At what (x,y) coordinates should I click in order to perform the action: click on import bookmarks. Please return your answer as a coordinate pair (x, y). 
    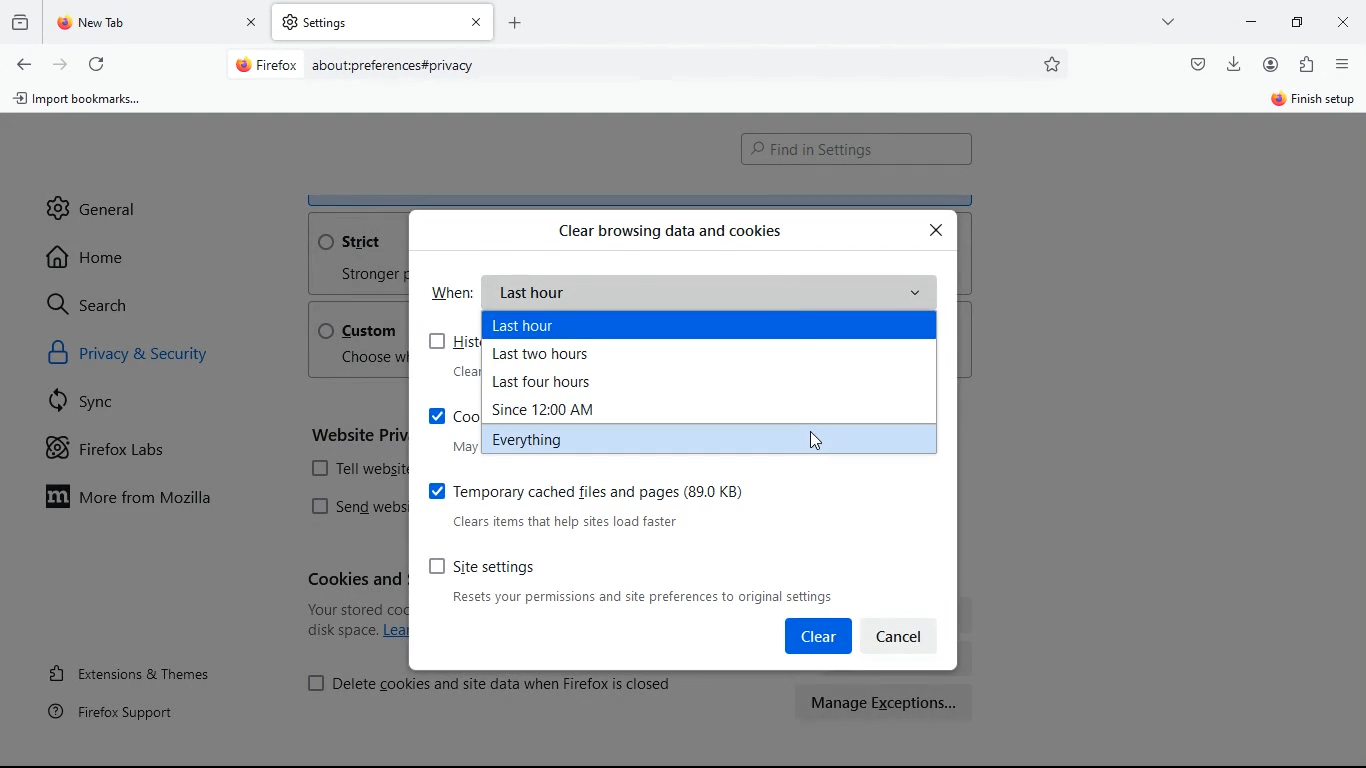
    Looking at the image, I should click on (84, 103).